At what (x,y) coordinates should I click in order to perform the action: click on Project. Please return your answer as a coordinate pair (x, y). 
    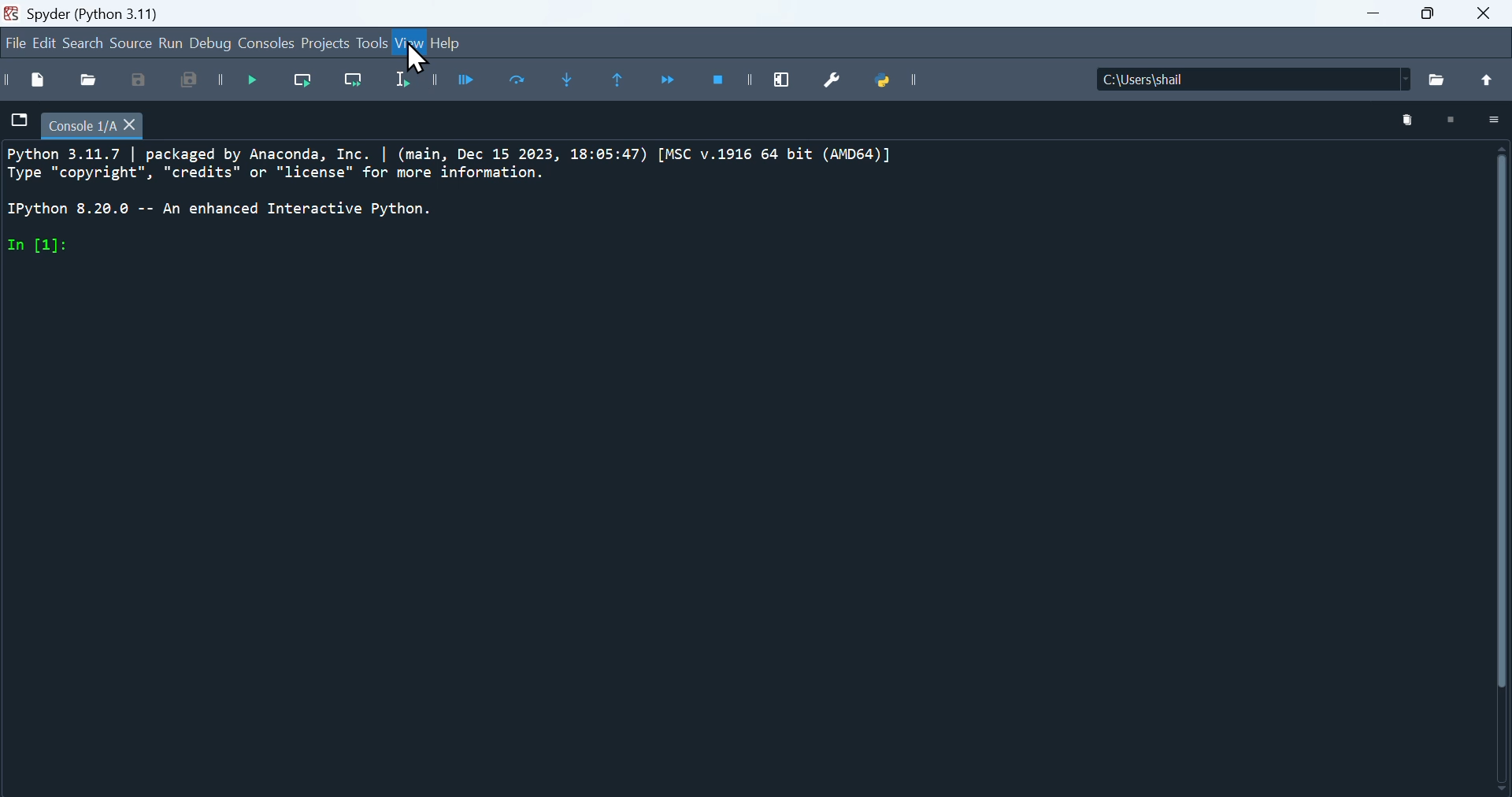
    Looking at the image, I should click on (325, 46).